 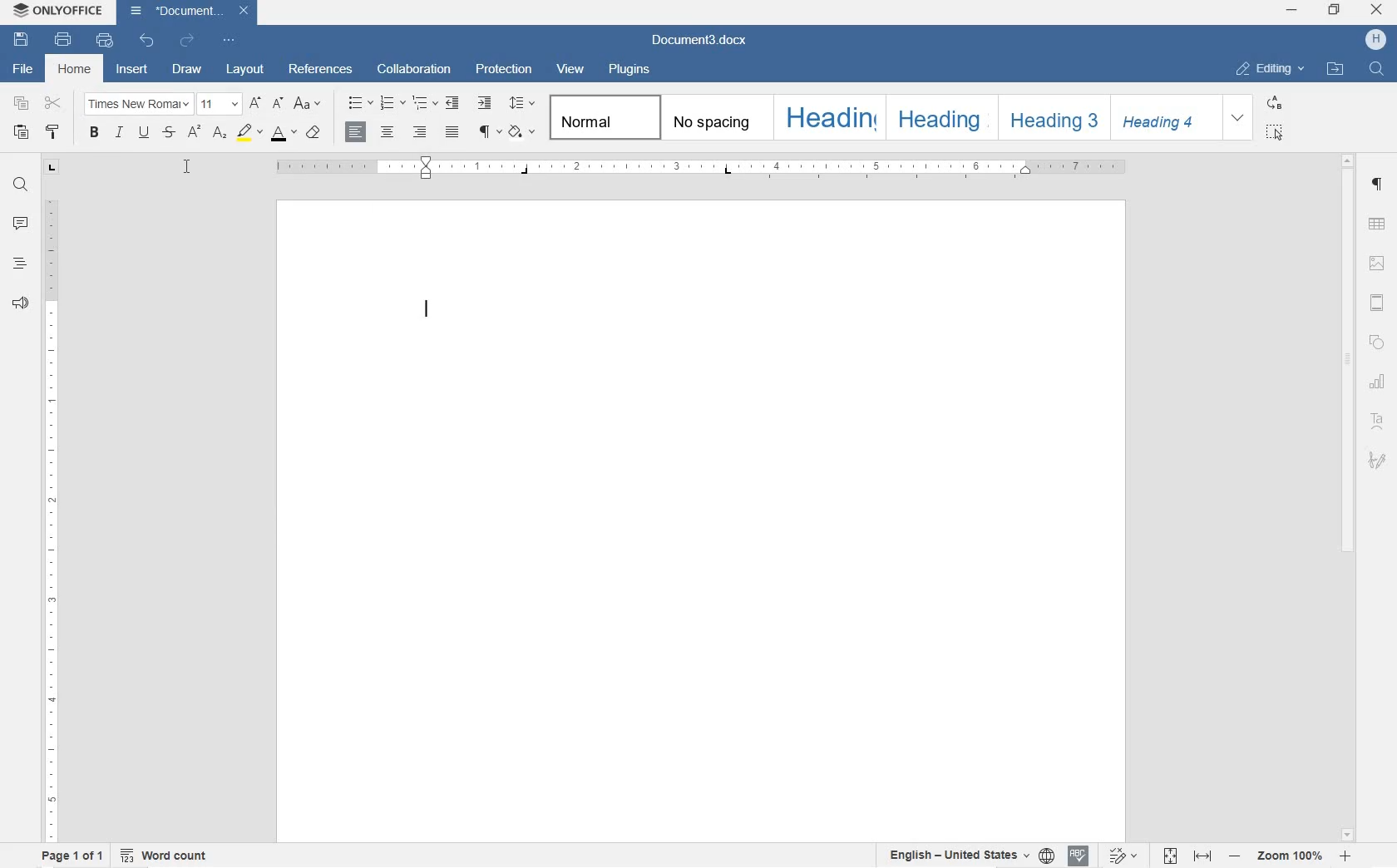 I want to click on REPLACE, so click(x=1276, y=103).